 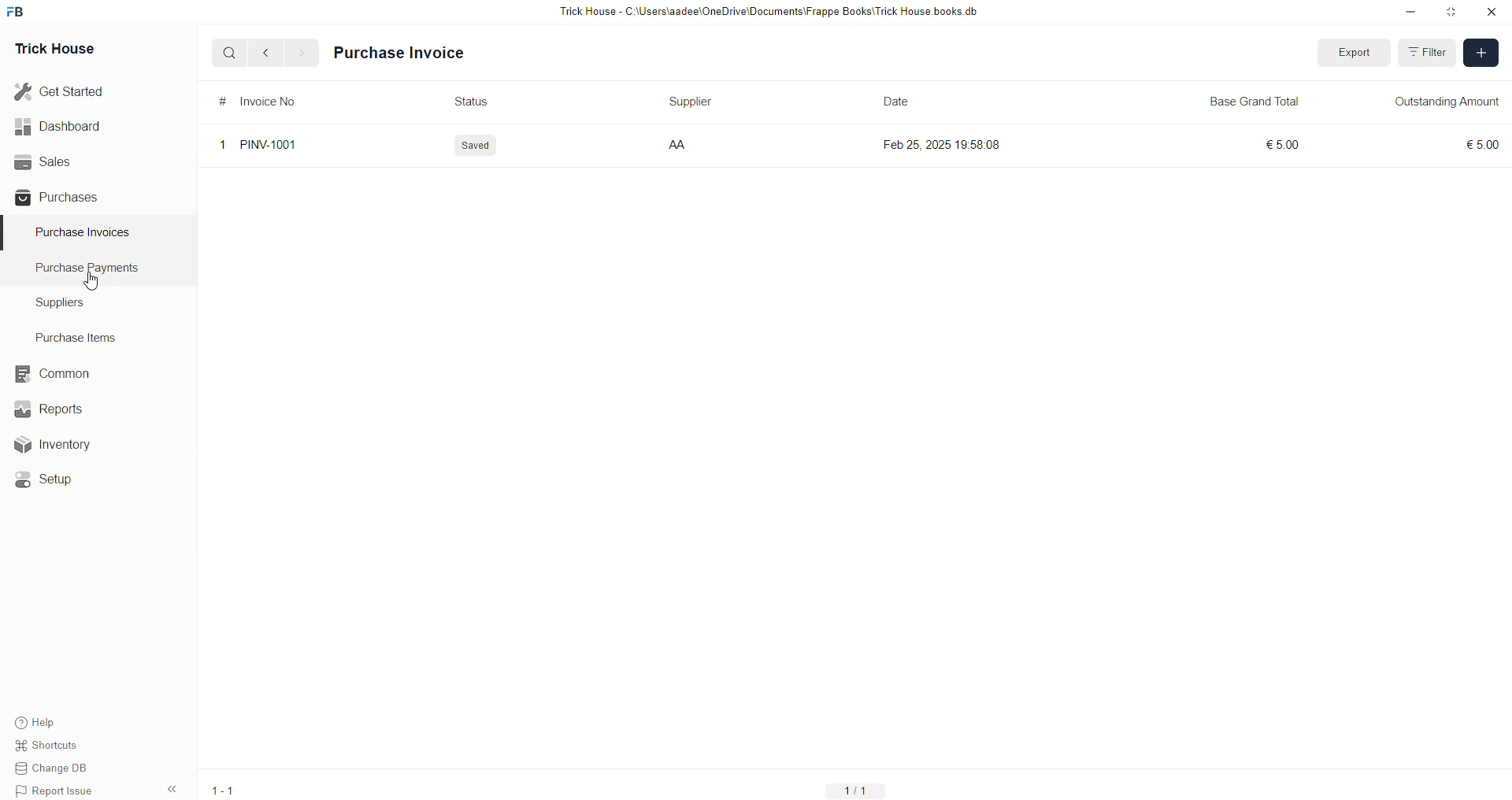 I want to click on Reports, so click(x=54, y=407).